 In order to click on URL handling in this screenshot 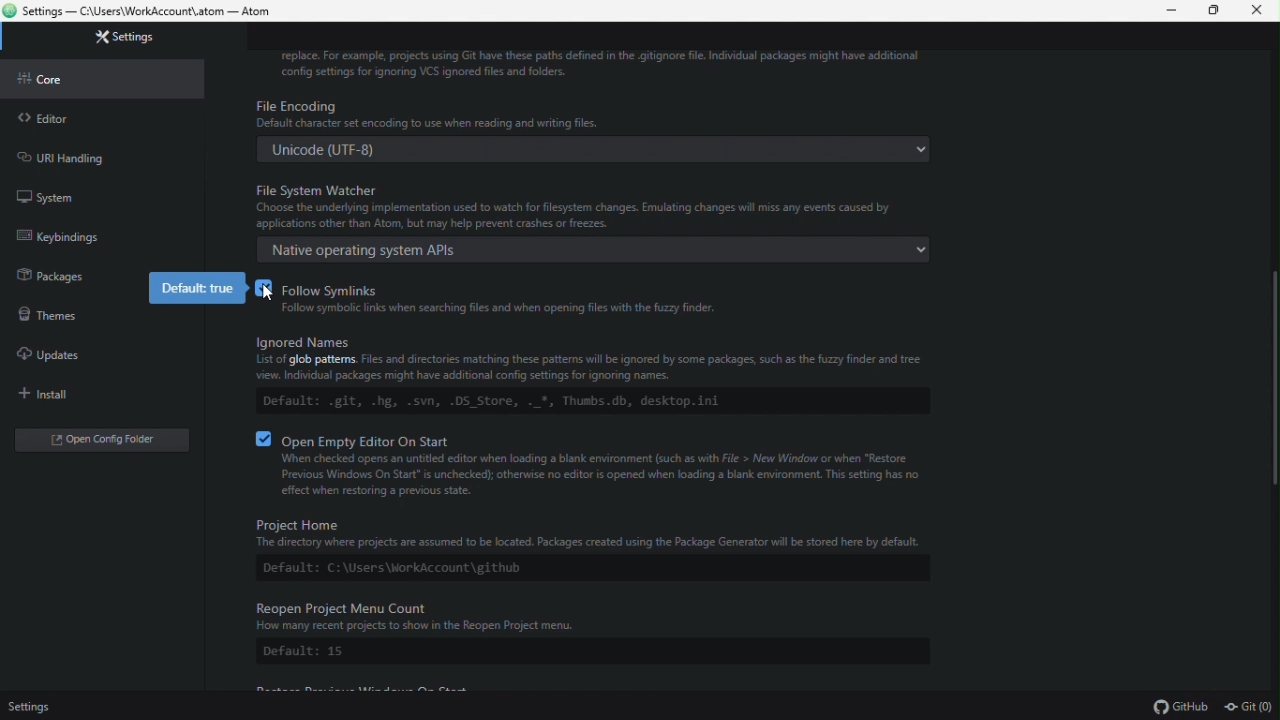, I will do `click(97, 155)`.